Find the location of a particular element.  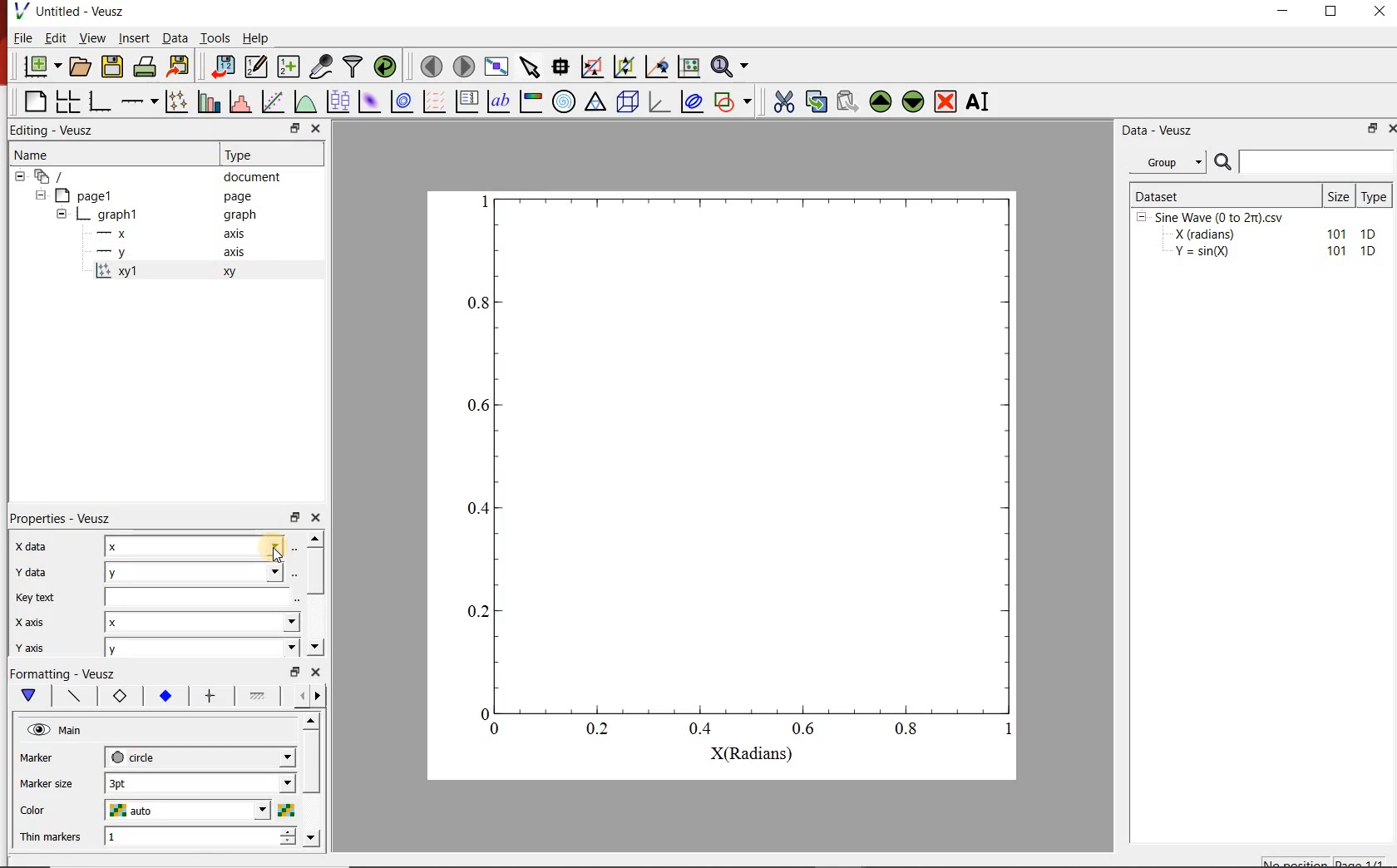

create new datasets is located at coordinates (289, 67).